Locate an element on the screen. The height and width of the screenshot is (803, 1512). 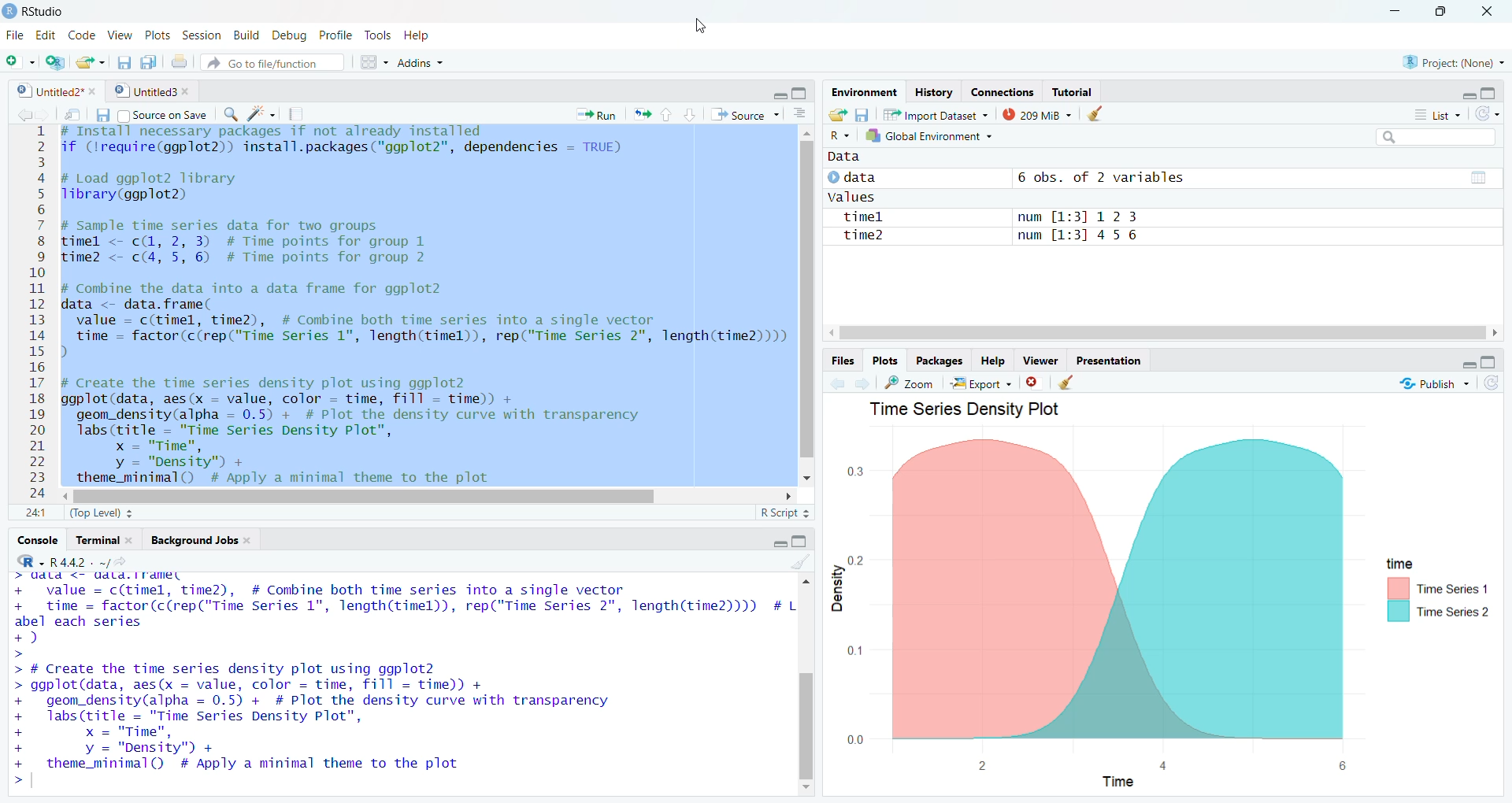
Run is located at coordinates (595, 115).